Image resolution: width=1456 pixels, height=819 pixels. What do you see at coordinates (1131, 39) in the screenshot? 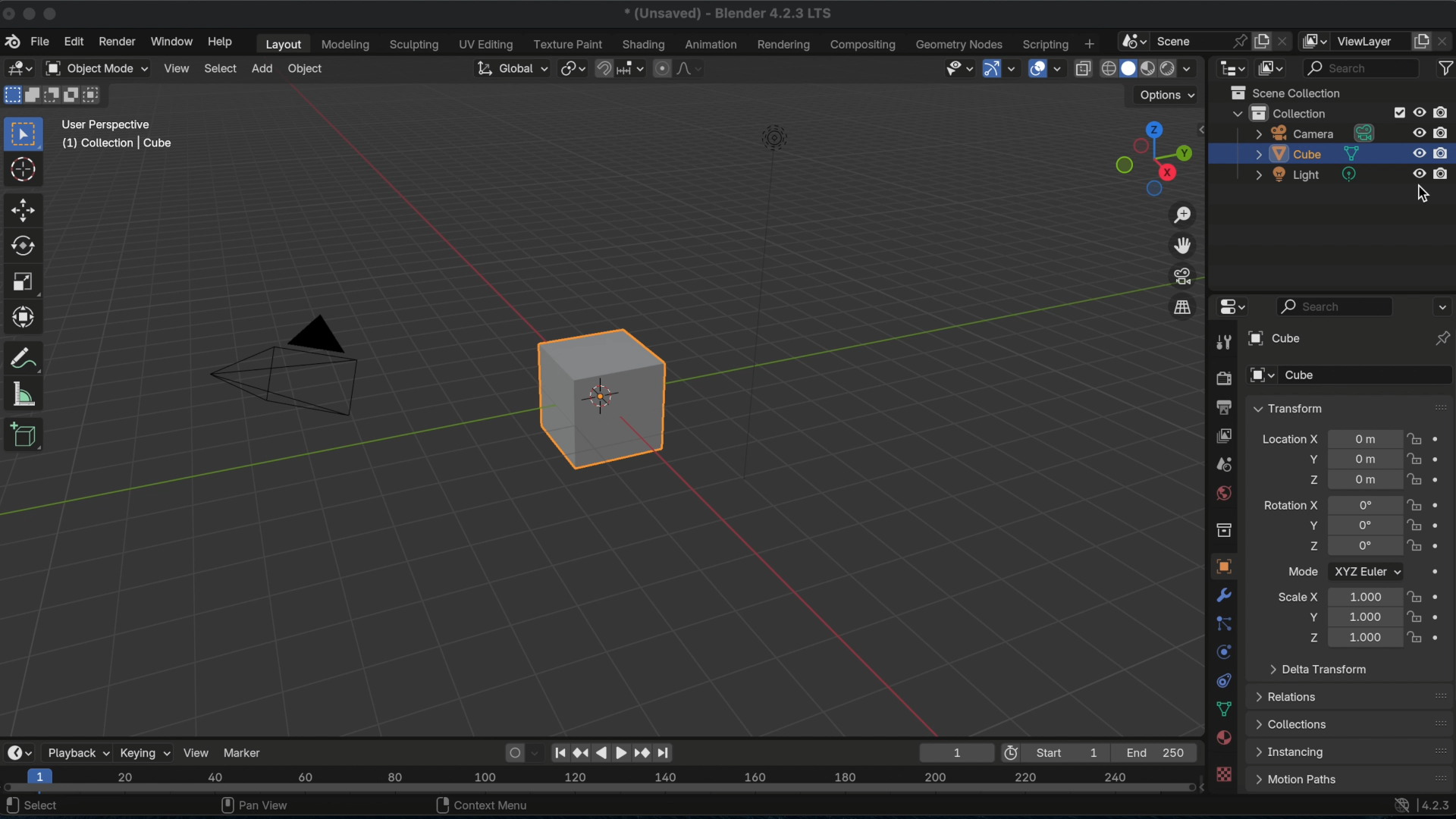
I see `browse scene to be linked` at bounding box center [1131, 39].